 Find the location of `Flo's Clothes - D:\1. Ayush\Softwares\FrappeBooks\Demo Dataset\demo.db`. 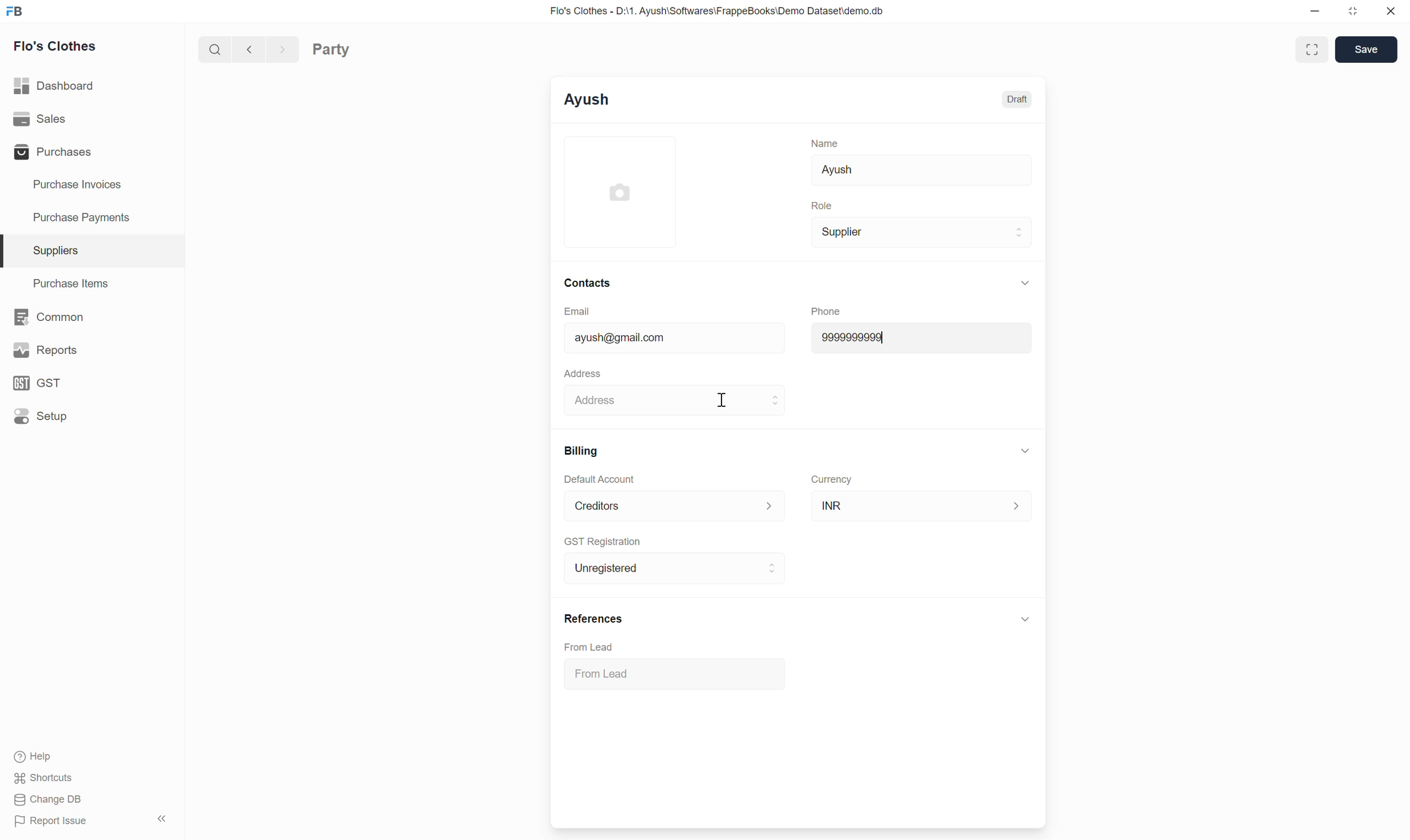

Flo's Clothes - D:\1. Ayush\Softwares\FrappeBooks\Demo Dataset\demo.db is located at coordinates (717, 11).